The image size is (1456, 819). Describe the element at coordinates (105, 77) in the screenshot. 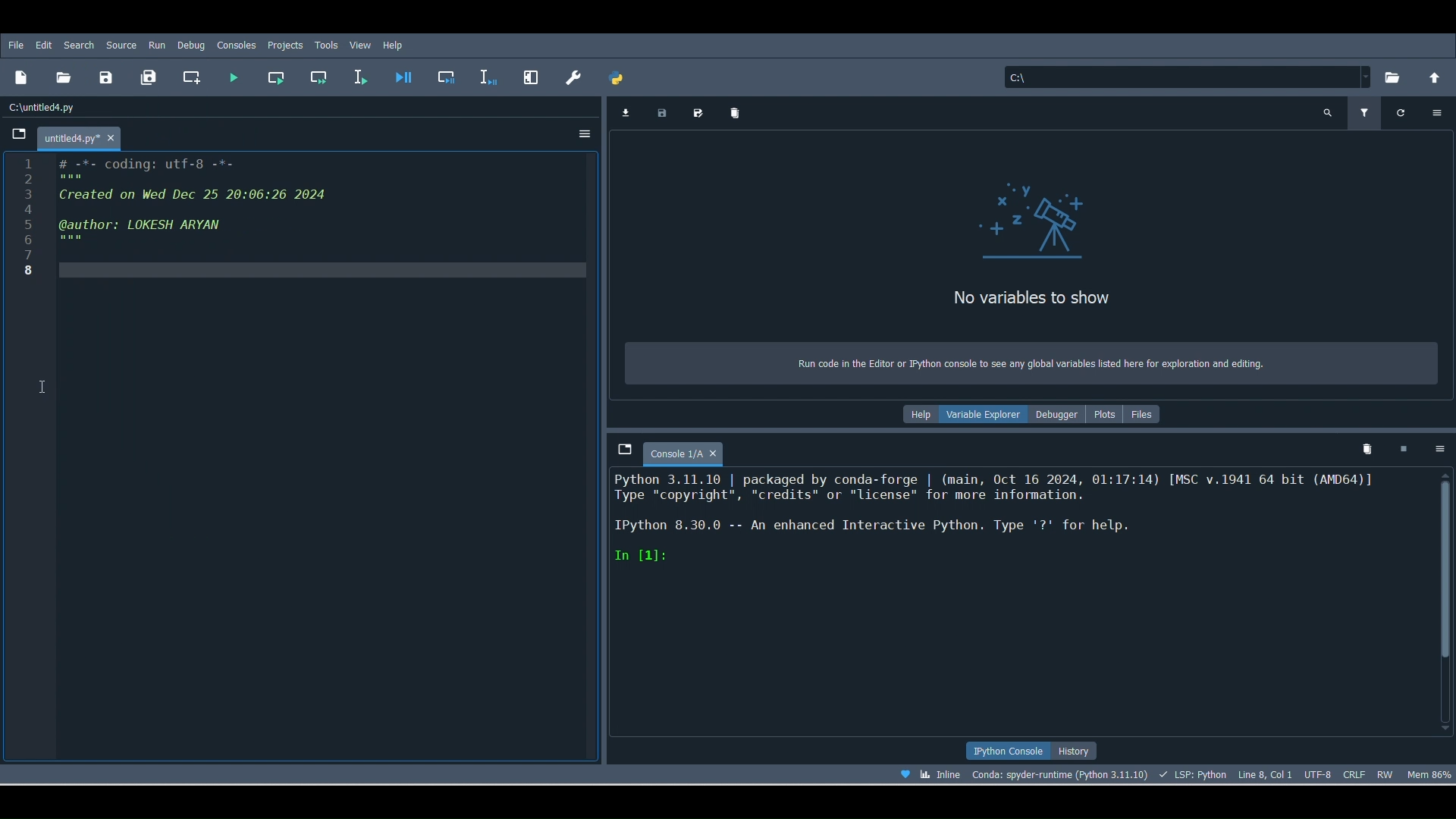

I see `Save file (Ctrl + S)` at that location.